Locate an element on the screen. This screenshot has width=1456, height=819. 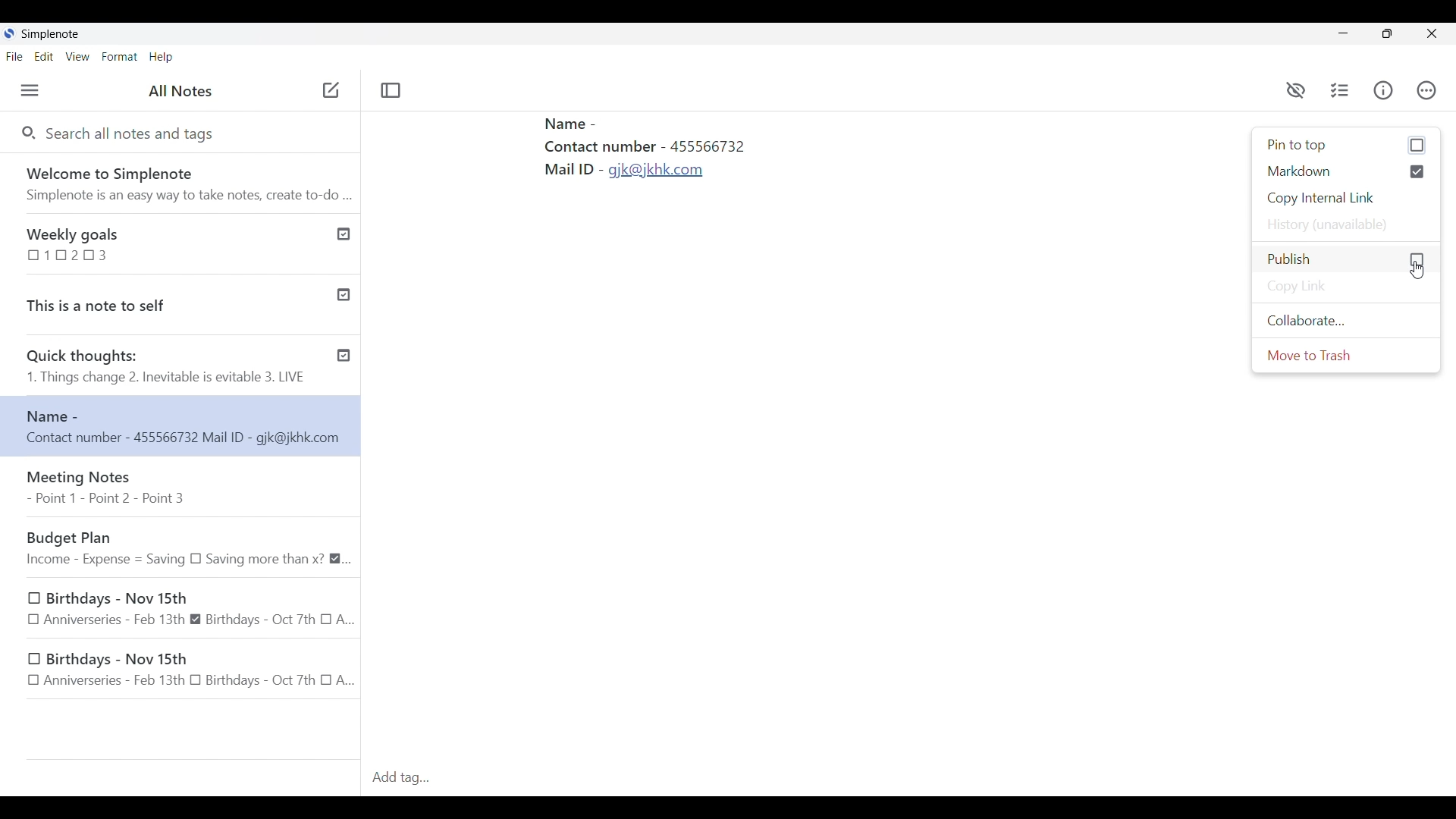
Copy internal link is located at coordinates (1347, 199).